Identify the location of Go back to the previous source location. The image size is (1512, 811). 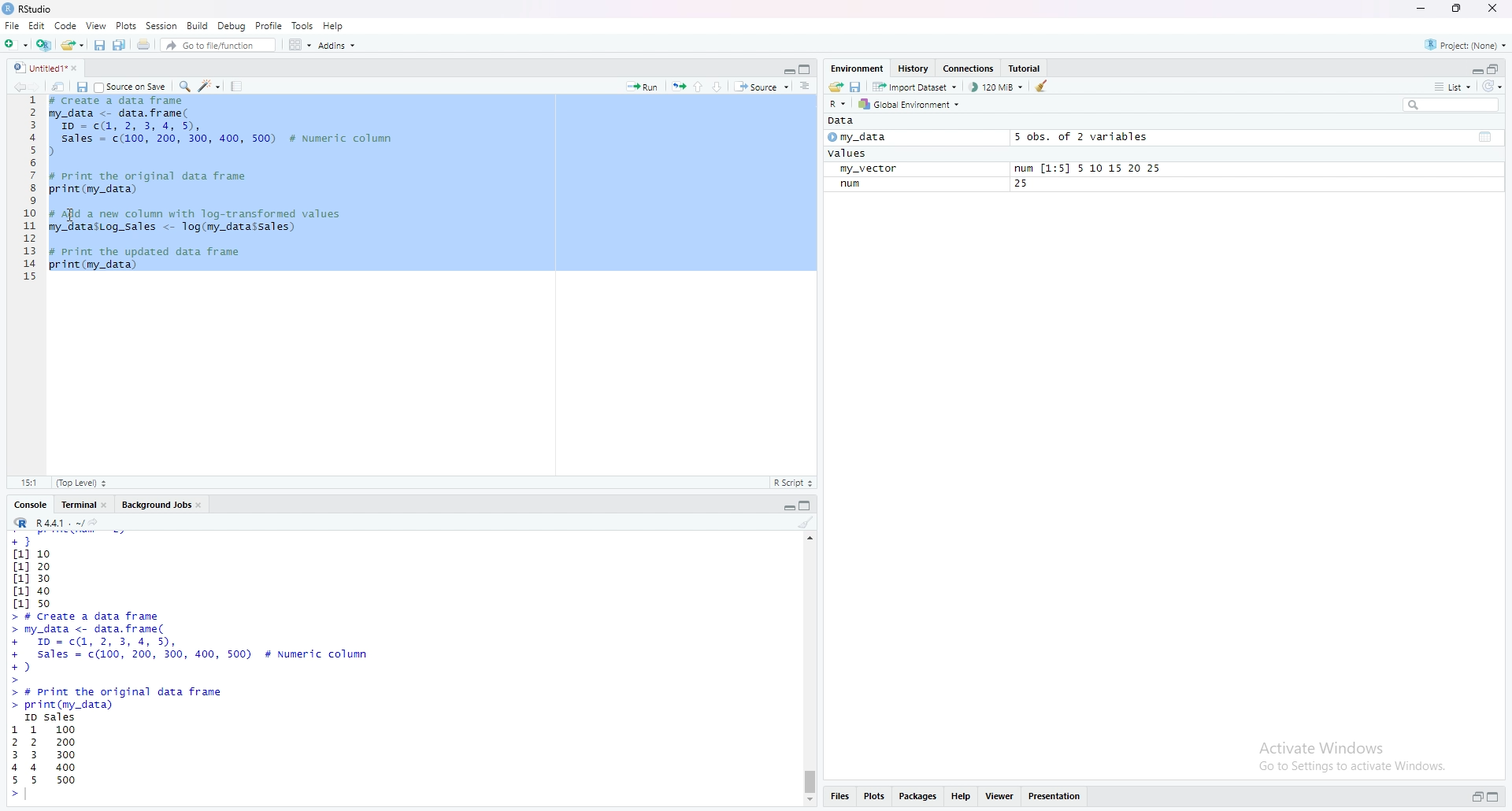
(13, 87).